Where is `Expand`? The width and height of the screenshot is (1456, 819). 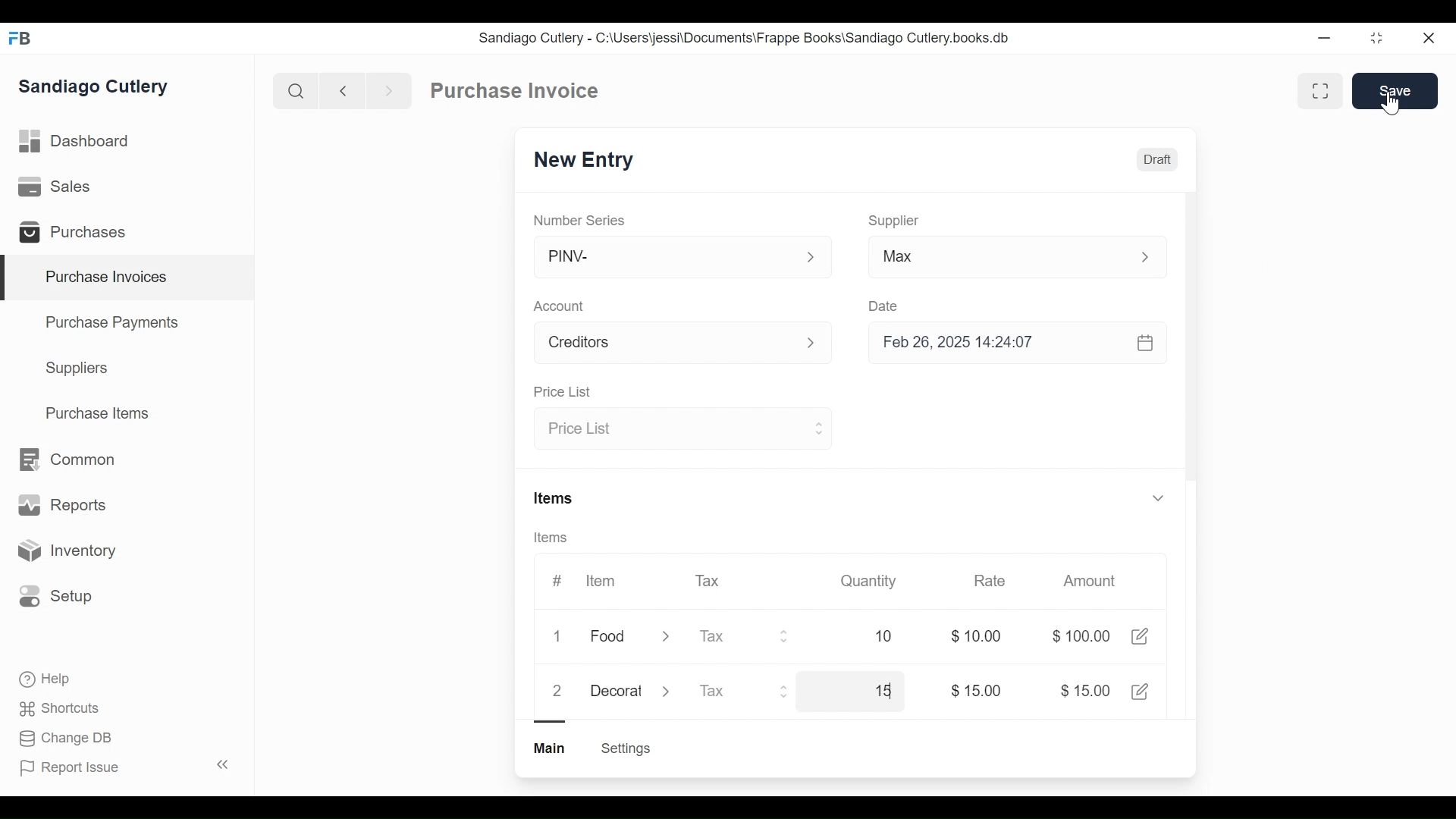
Expand is located at coordinates (1153, 257).